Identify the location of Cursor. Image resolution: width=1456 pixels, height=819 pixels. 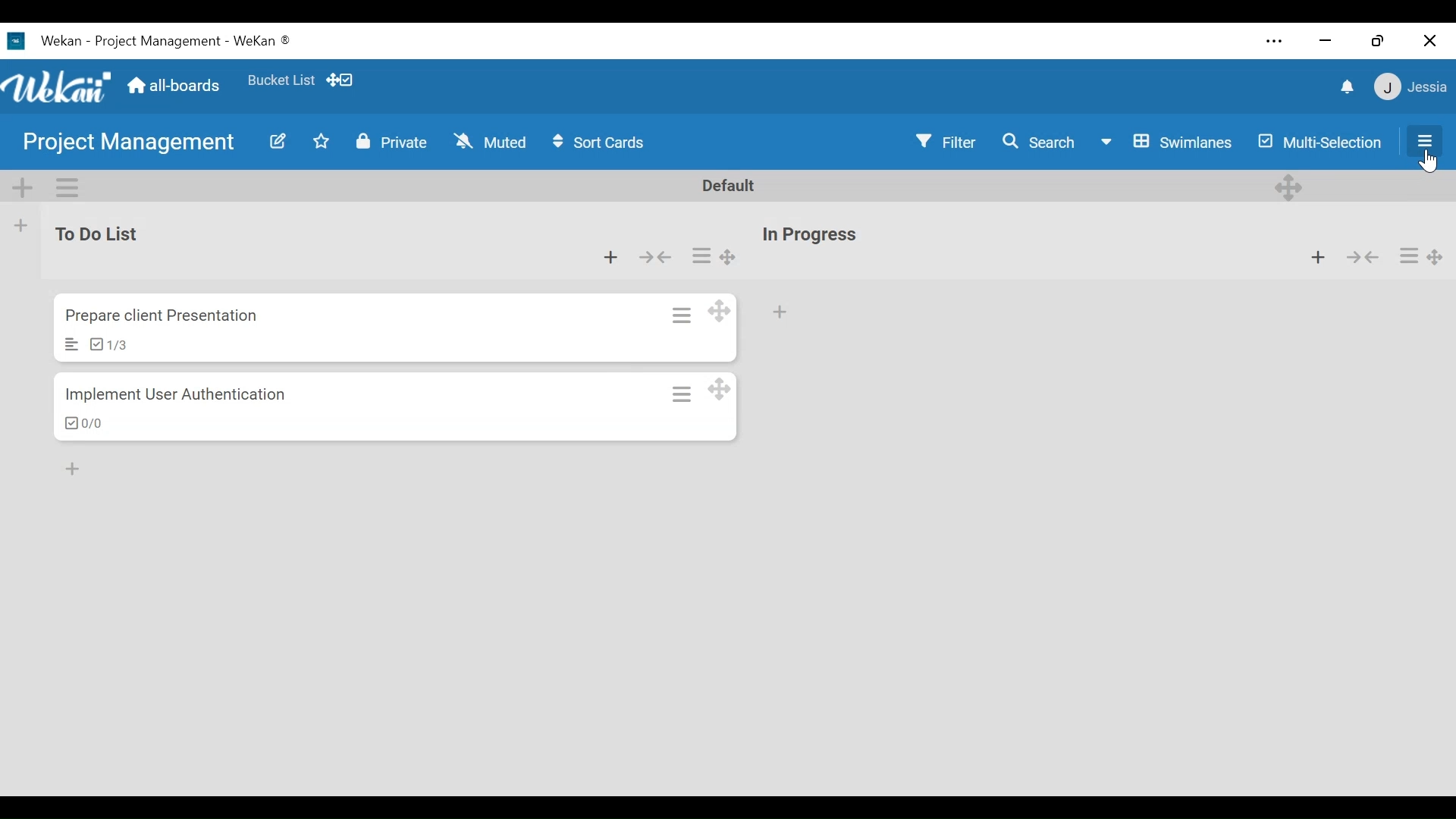
(1426, 164).